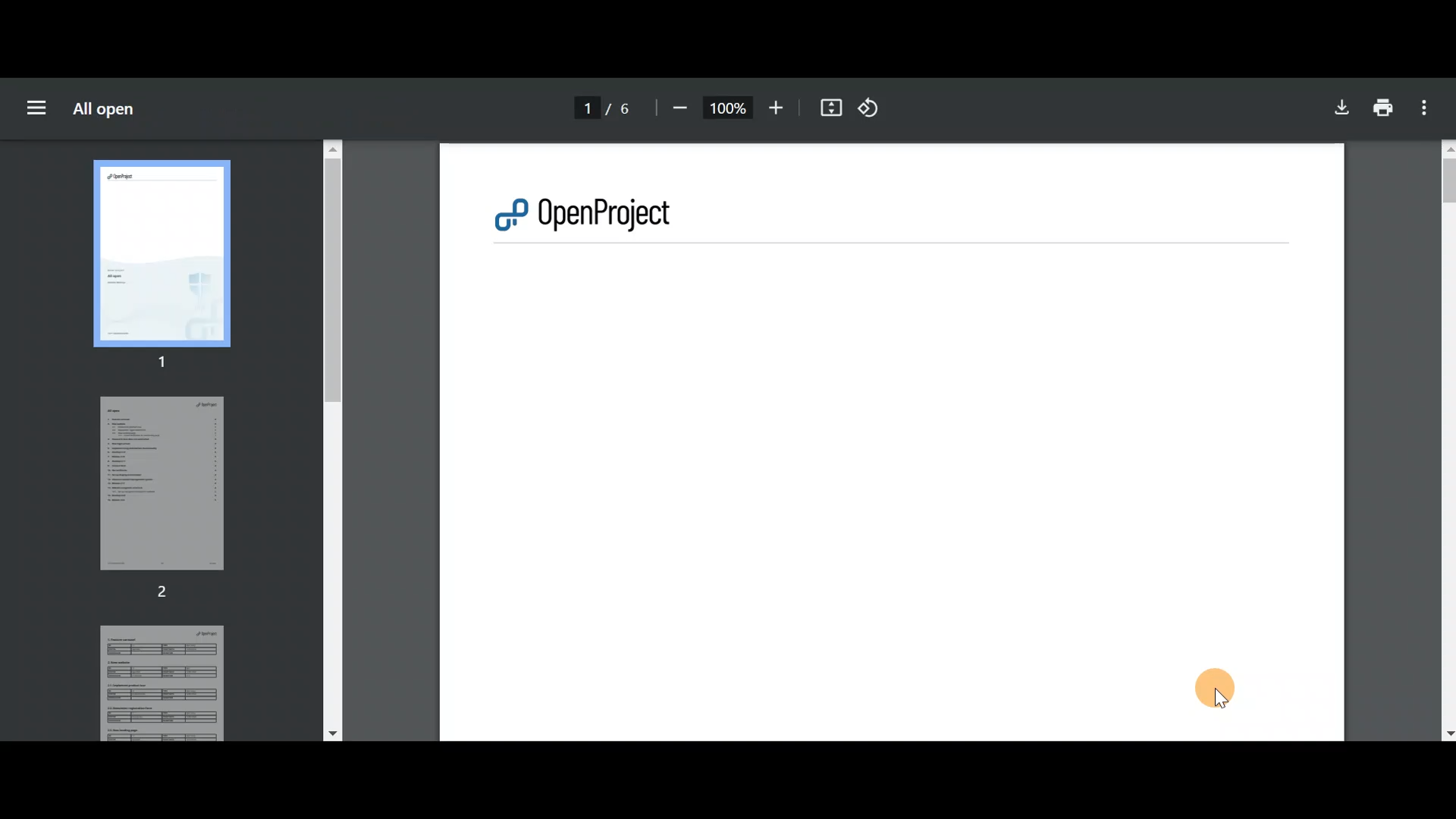 This screenshot has height=819, width=1456. I want to click on Page 2 preview, so click(174, 494).